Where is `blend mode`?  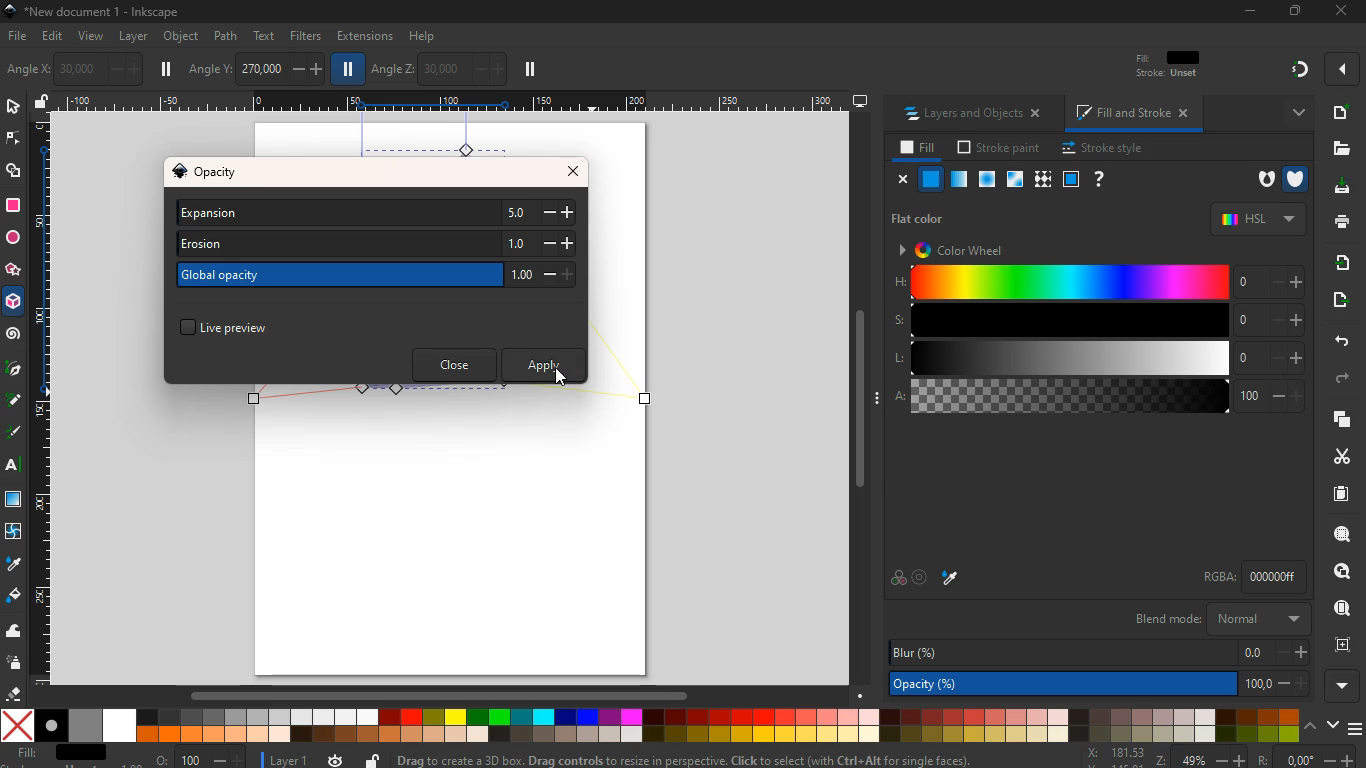 blend mode is located at coordinates (1218, 620).